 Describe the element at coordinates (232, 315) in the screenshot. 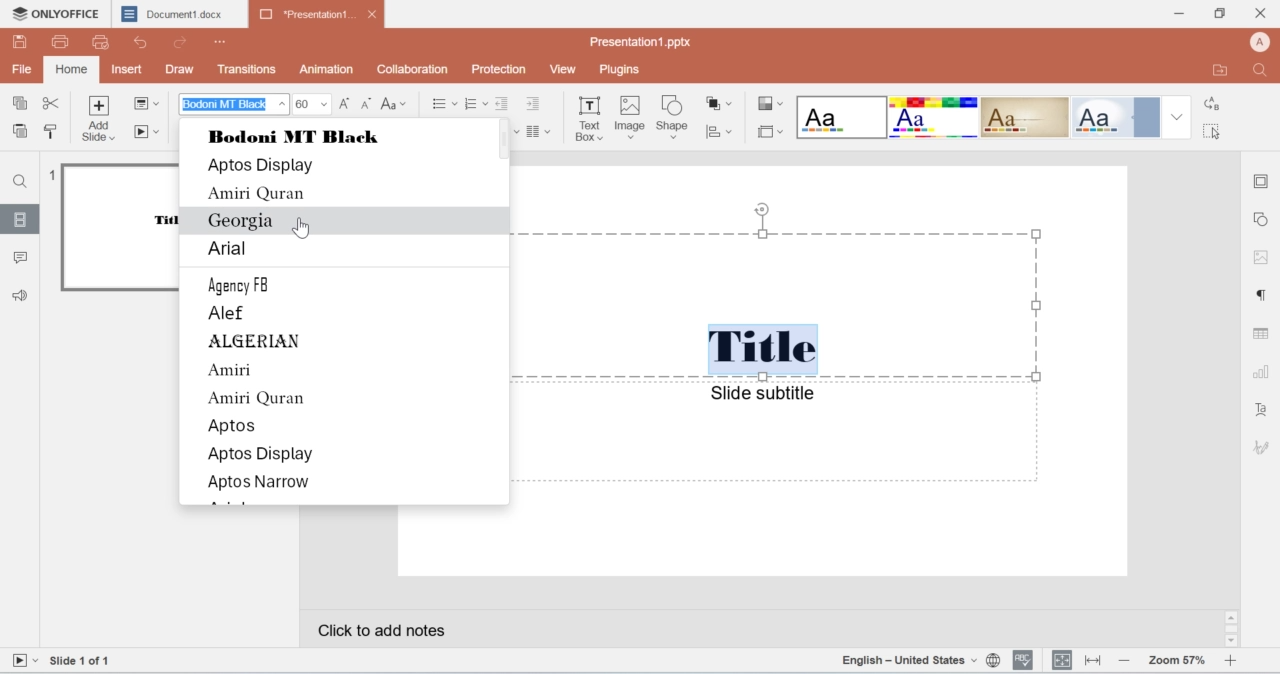

I see `Alef` at that location.